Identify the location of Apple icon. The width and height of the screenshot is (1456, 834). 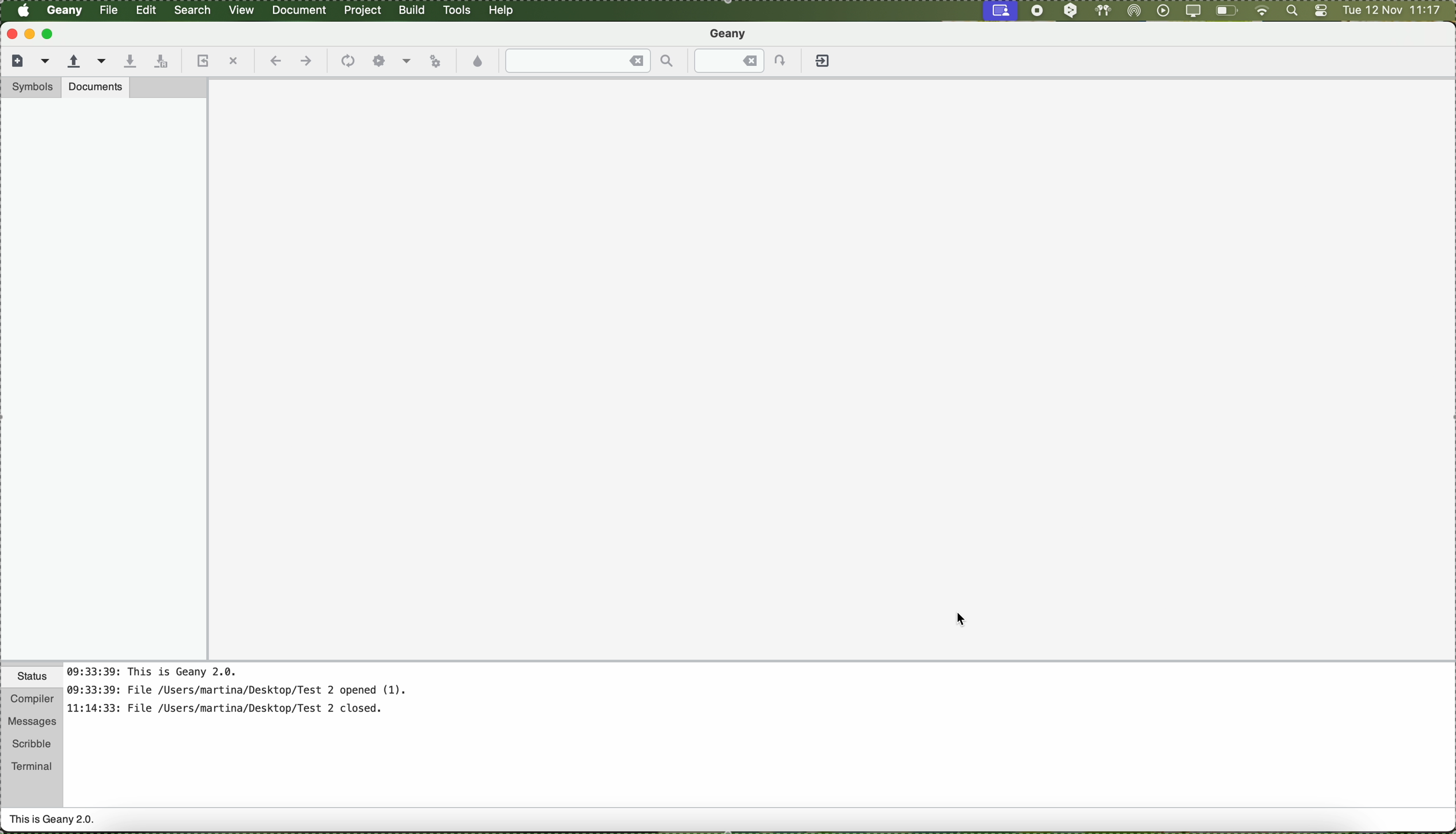
(23, 10).